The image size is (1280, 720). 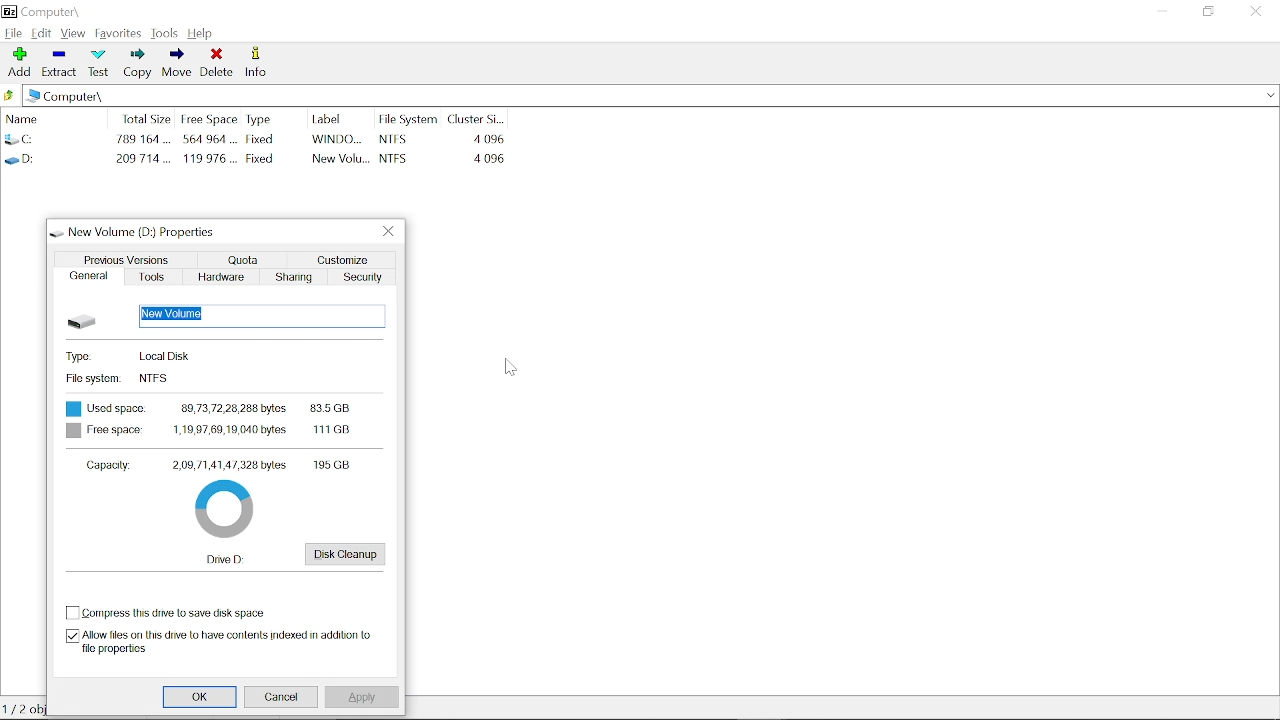 I want to click on quota, so click(x=242, y=260).